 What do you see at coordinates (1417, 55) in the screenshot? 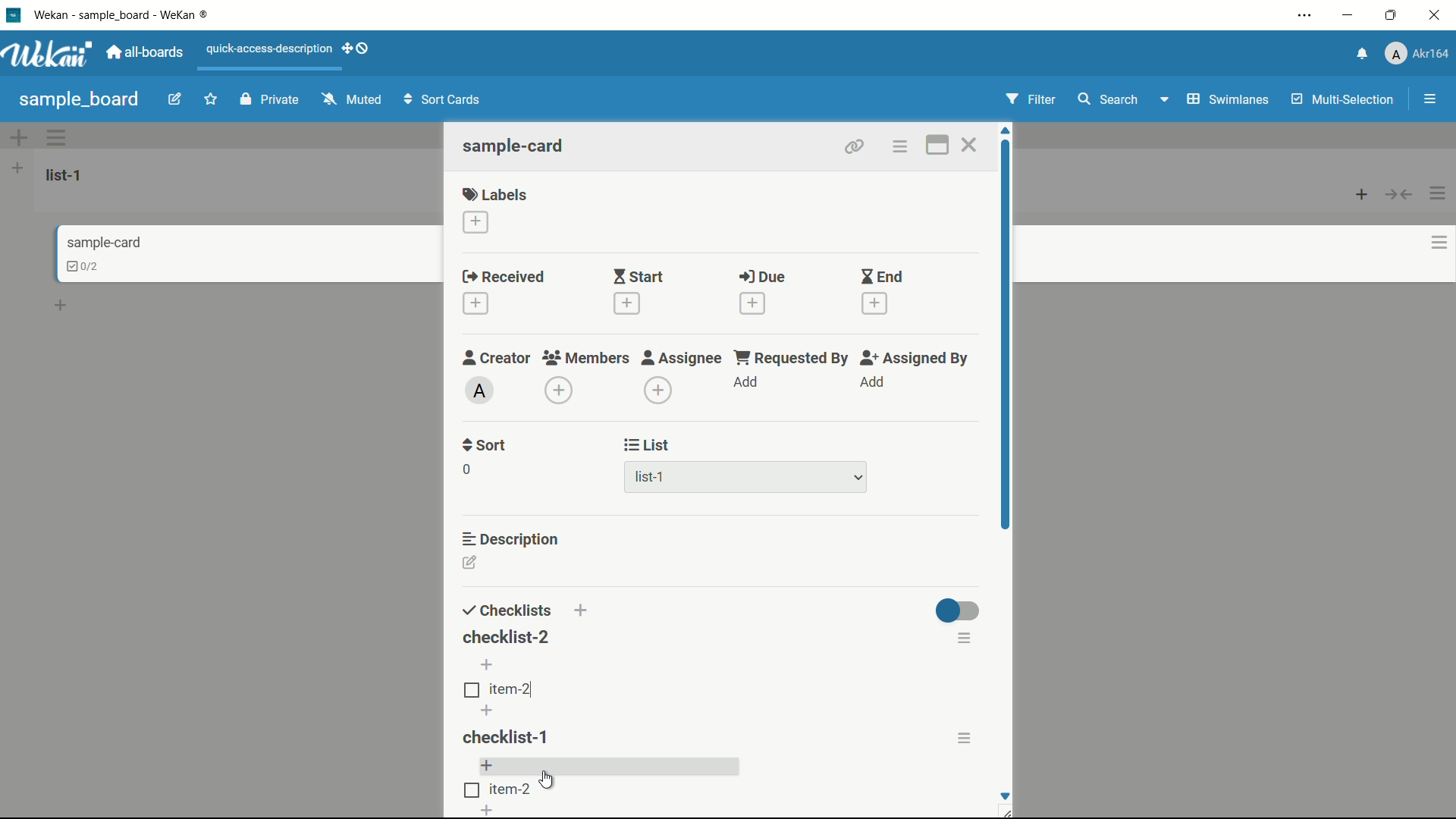
I see `profile` at bounding box center [1417, 55].